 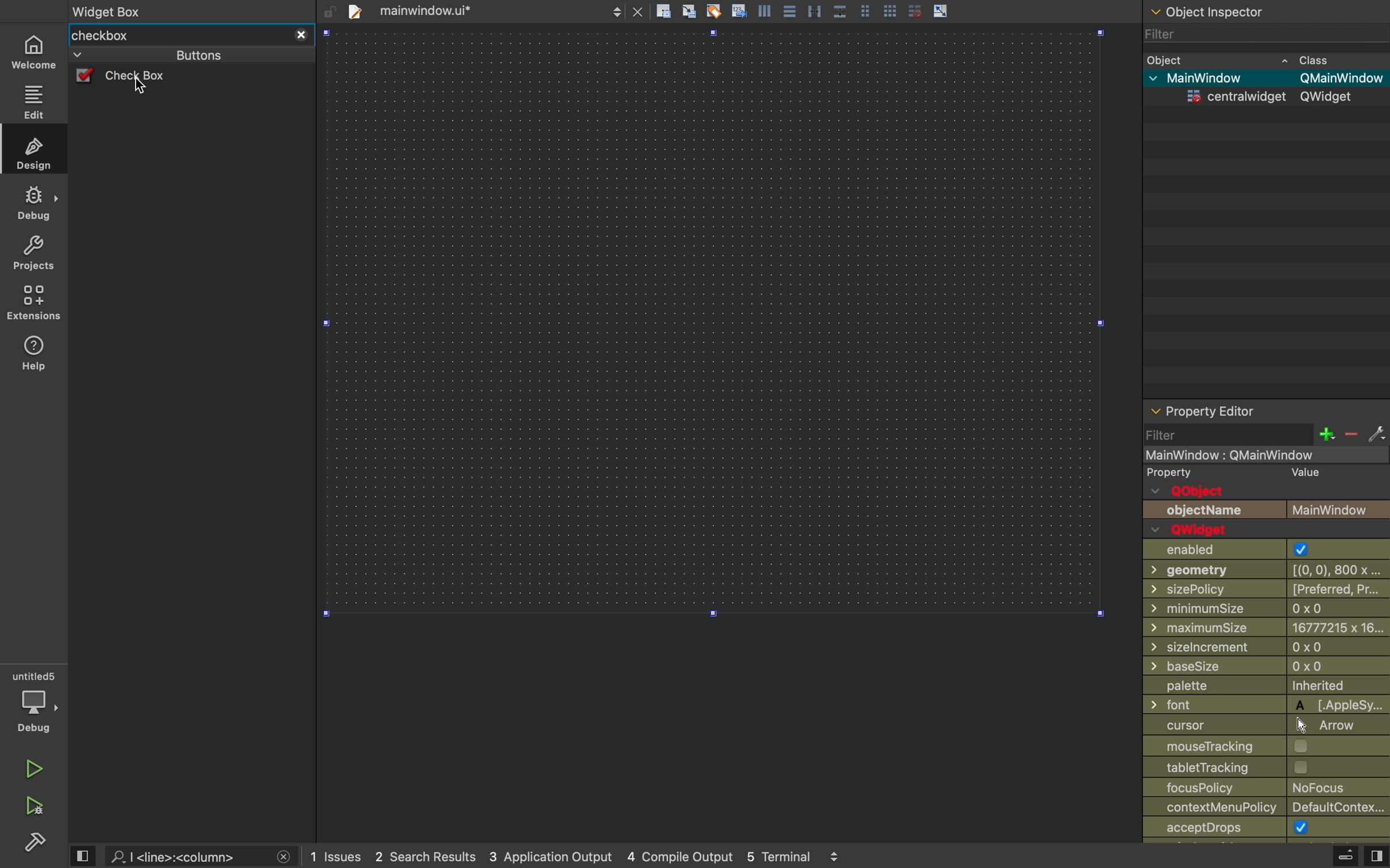 What do you see at coordinates (1203, 491) in the screenshot?
I see `qobject` at bounding box center [1203, 491].